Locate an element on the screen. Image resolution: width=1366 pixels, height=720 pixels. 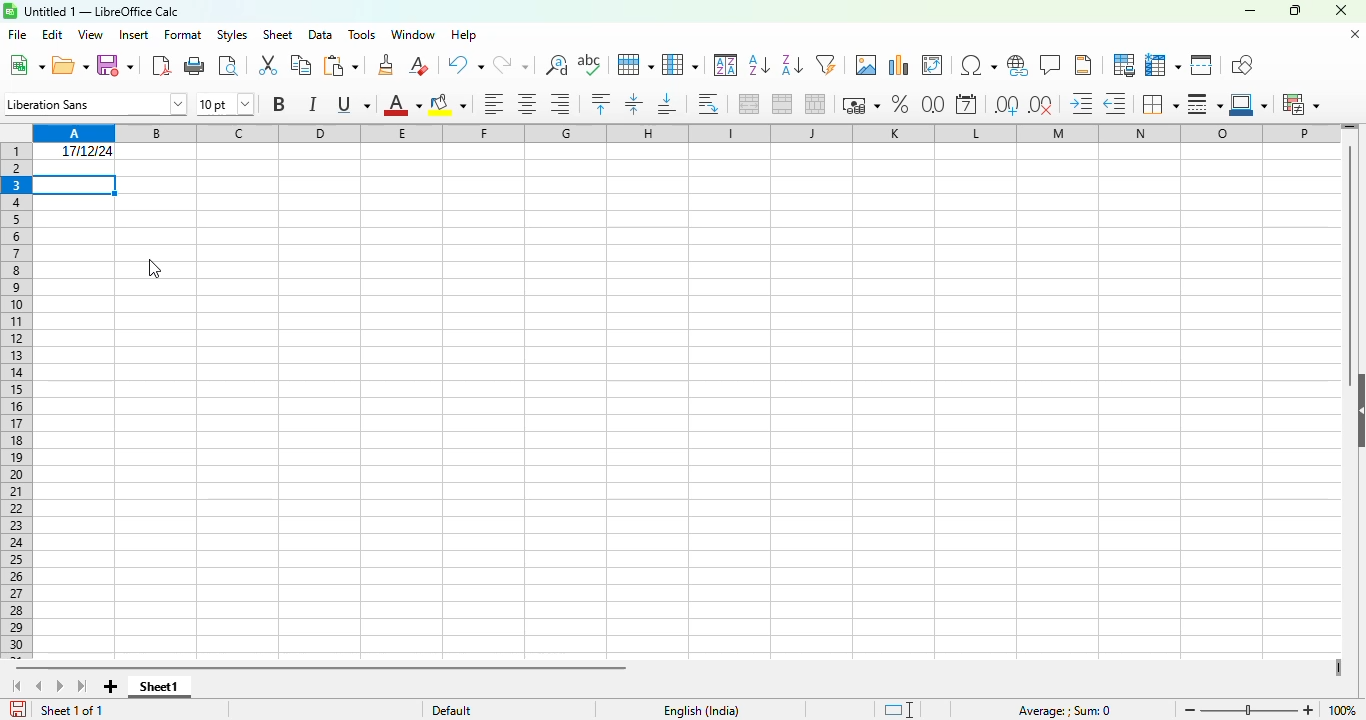
close document is located at coordinates (1355, 34).